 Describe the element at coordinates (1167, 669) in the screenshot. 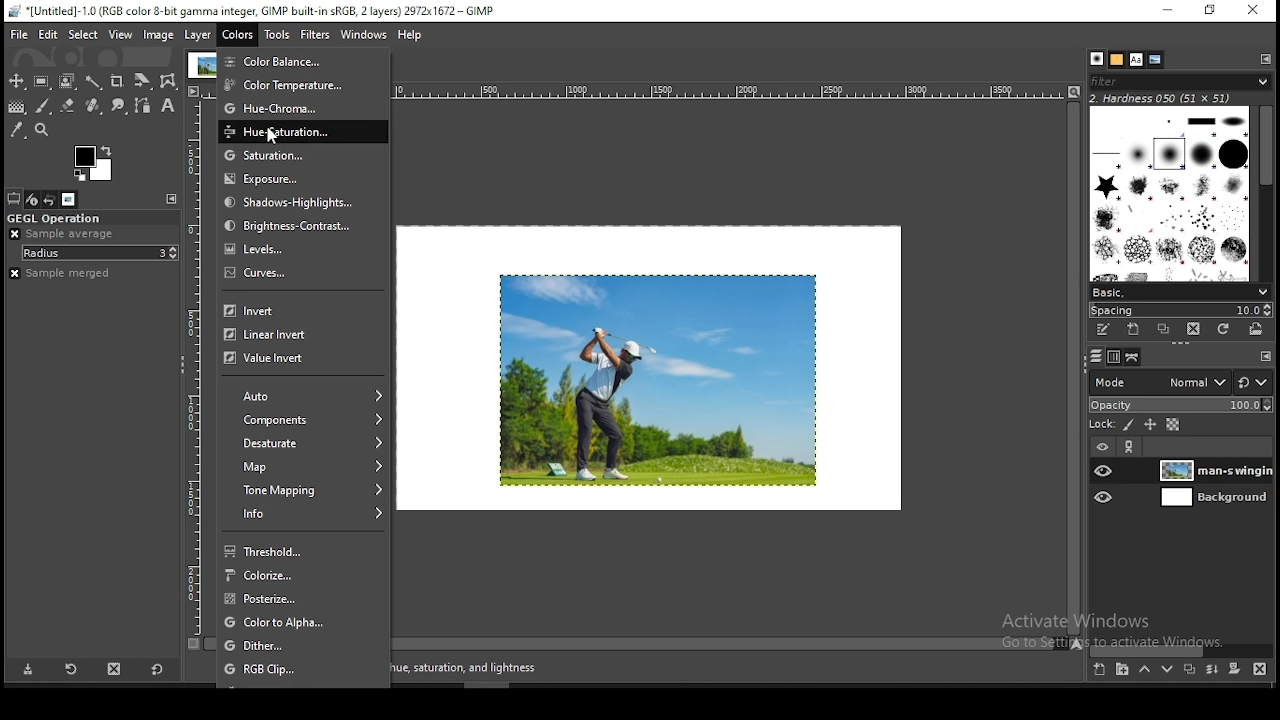

I see `move layer on step down` at that location.